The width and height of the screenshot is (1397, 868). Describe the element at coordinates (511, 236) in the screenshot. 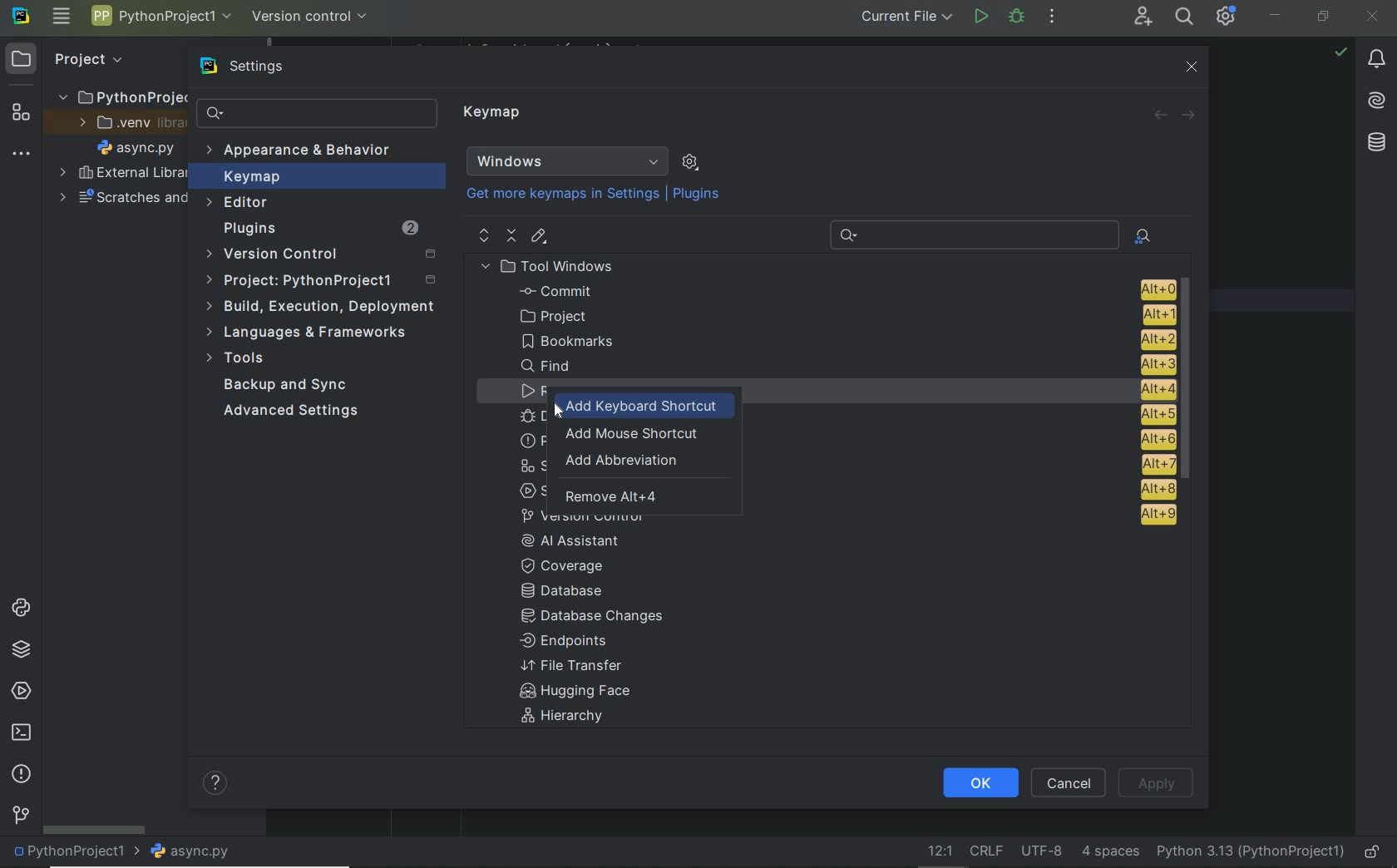

I see `collapse all` at that location.